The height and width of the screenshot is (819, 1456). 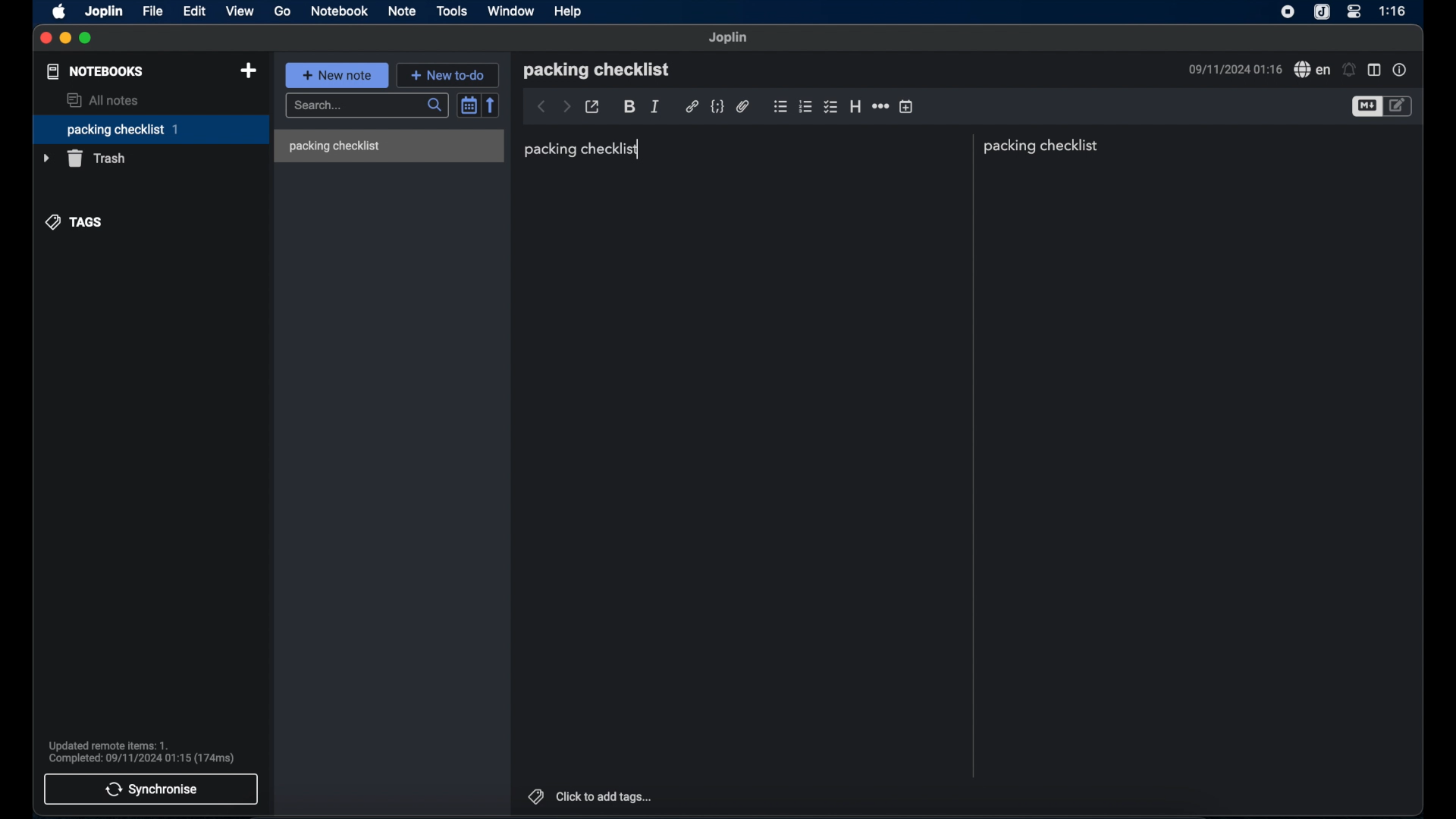 I want to click on bulleted checklist, so click(x=780, y=108).